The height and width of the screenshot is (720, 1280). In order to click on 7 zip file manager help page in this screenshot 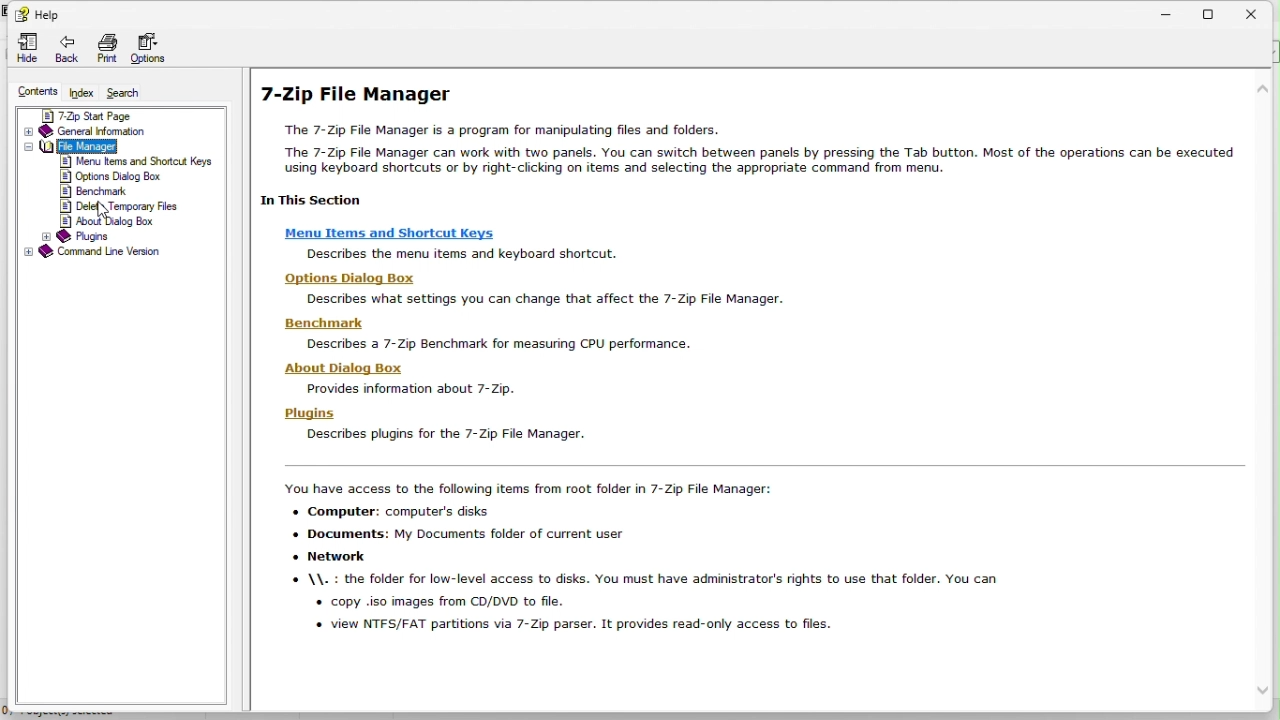, I will do `click(749, 364)`.